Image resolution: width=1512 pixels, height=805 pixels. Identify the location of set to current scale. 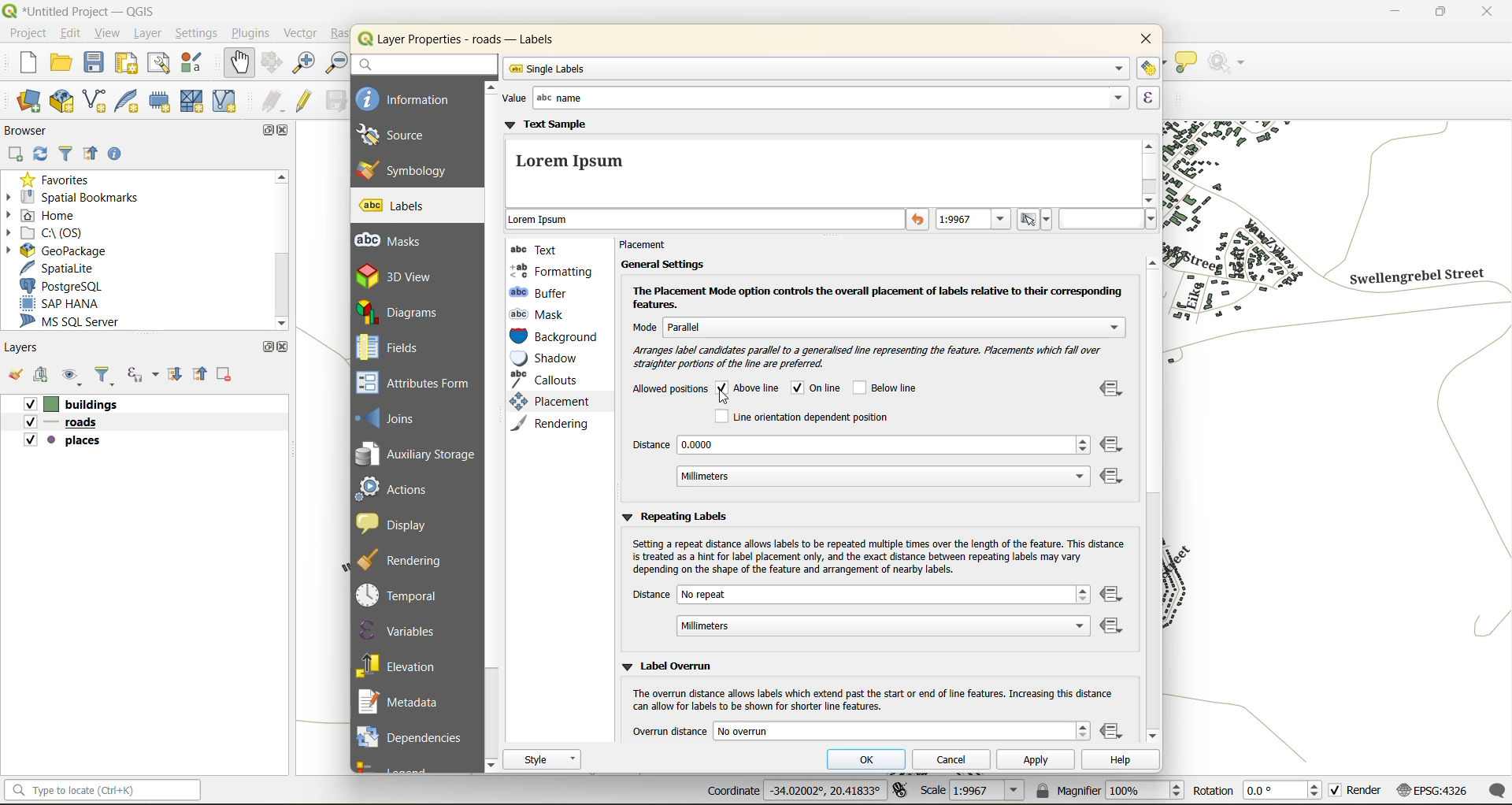
(1036, 220).